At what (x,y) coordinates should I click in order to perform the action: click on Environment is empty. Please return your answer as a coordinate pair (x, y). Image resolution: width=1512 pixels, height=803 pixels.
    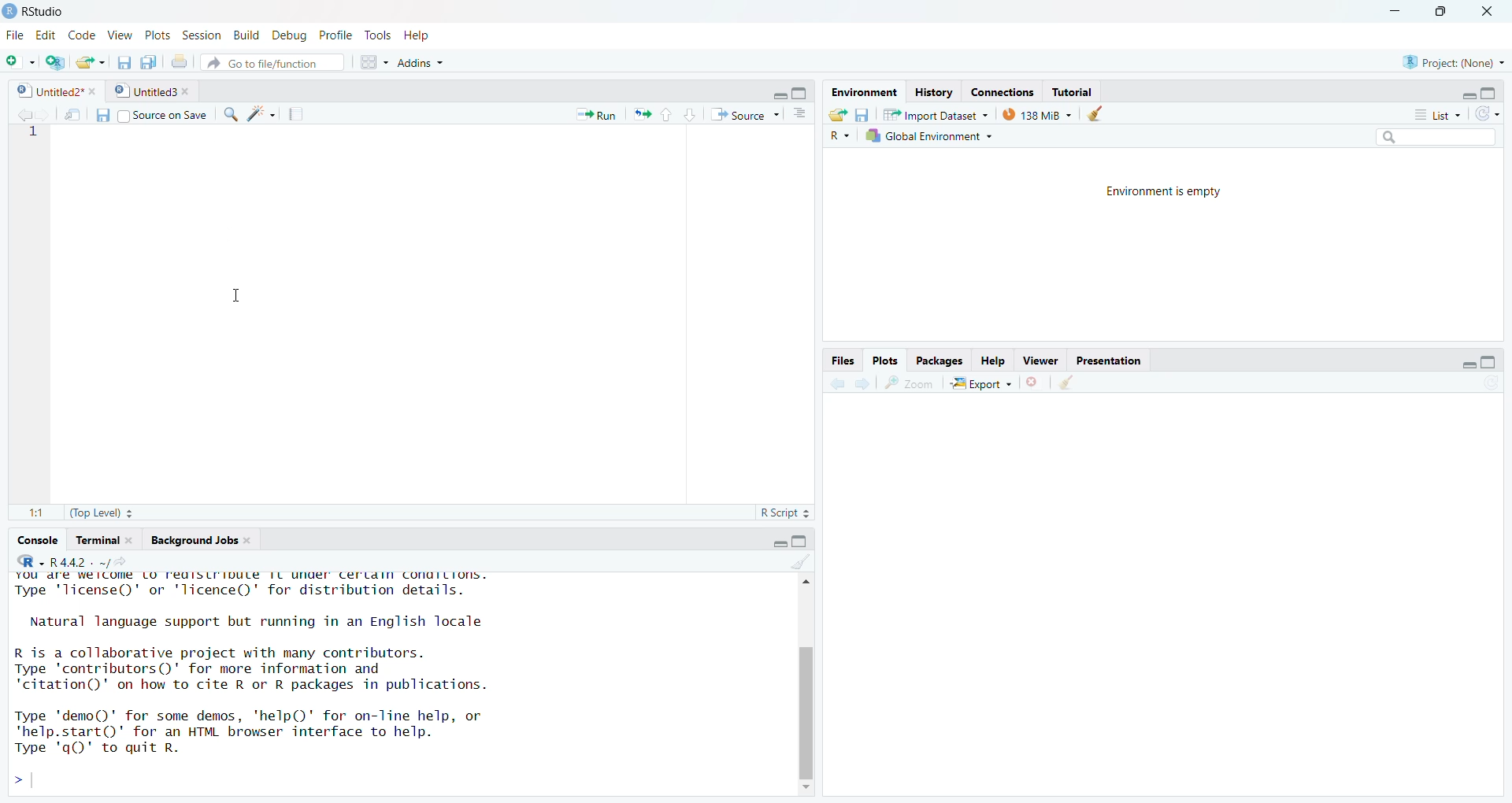
    Looking at the image, I should click on (1168, 246).